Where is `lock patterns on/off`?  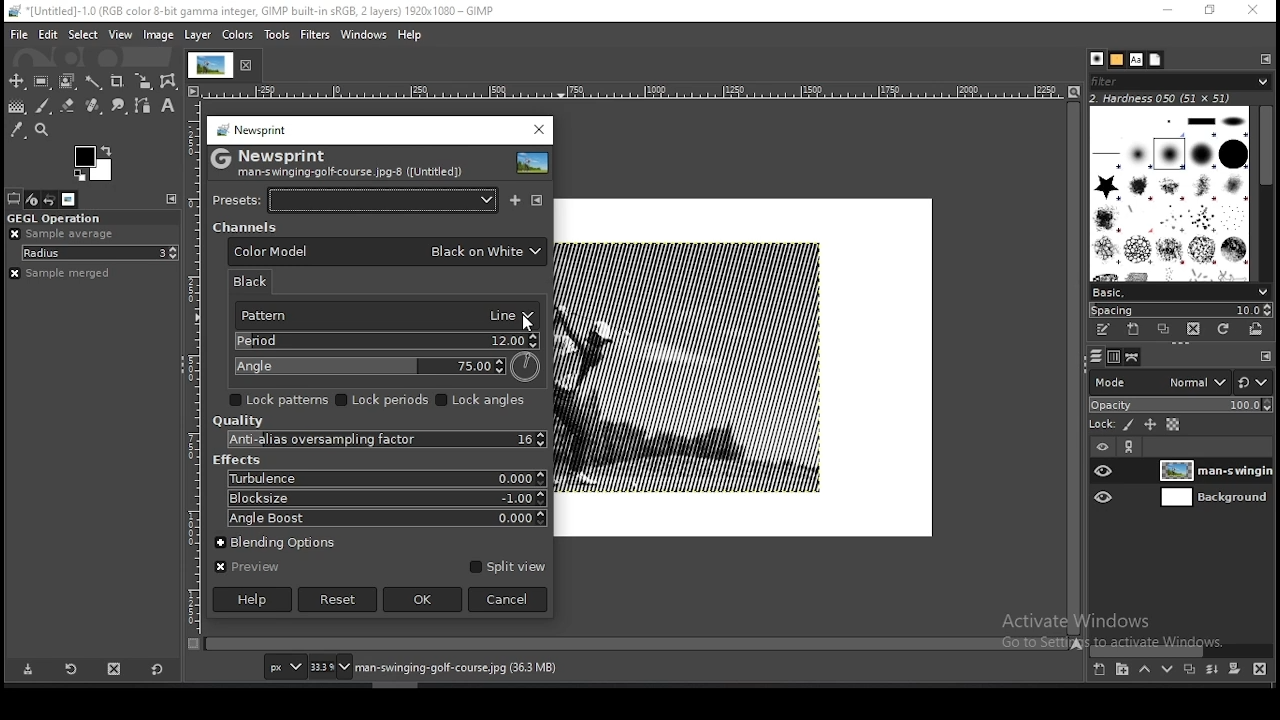 lock patterns on/off is located at coordinates (280, 399).